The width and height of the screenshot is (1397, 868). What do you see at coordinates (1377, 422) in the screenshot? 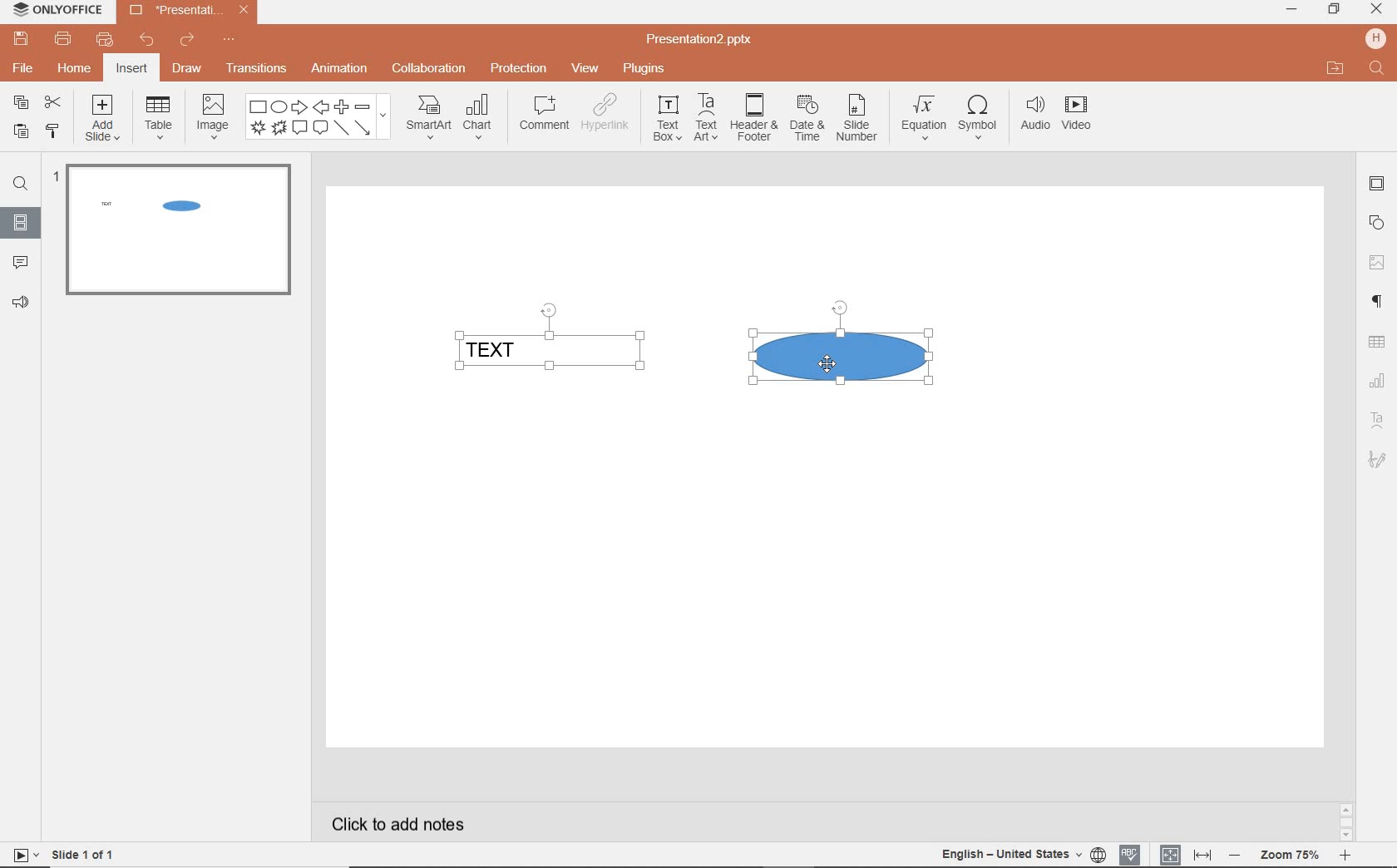
I see `TEXT ART` at bounding box center [1377, 422].